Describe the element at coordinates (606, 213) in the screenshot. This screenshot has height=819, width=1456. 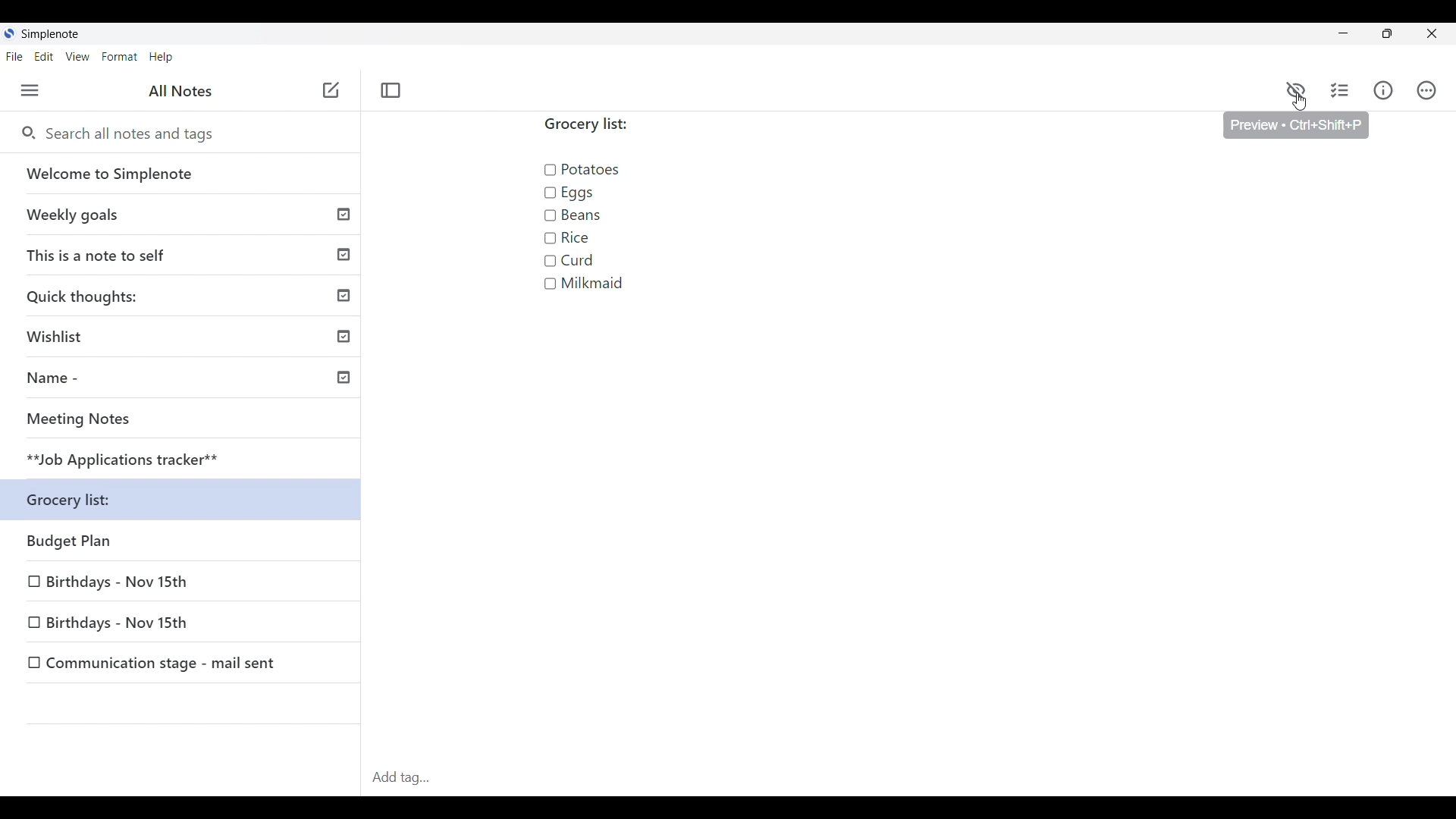
I see `Grocery list: Potatoes Eggs Beans Rice Curd Milkmaid` at that location.